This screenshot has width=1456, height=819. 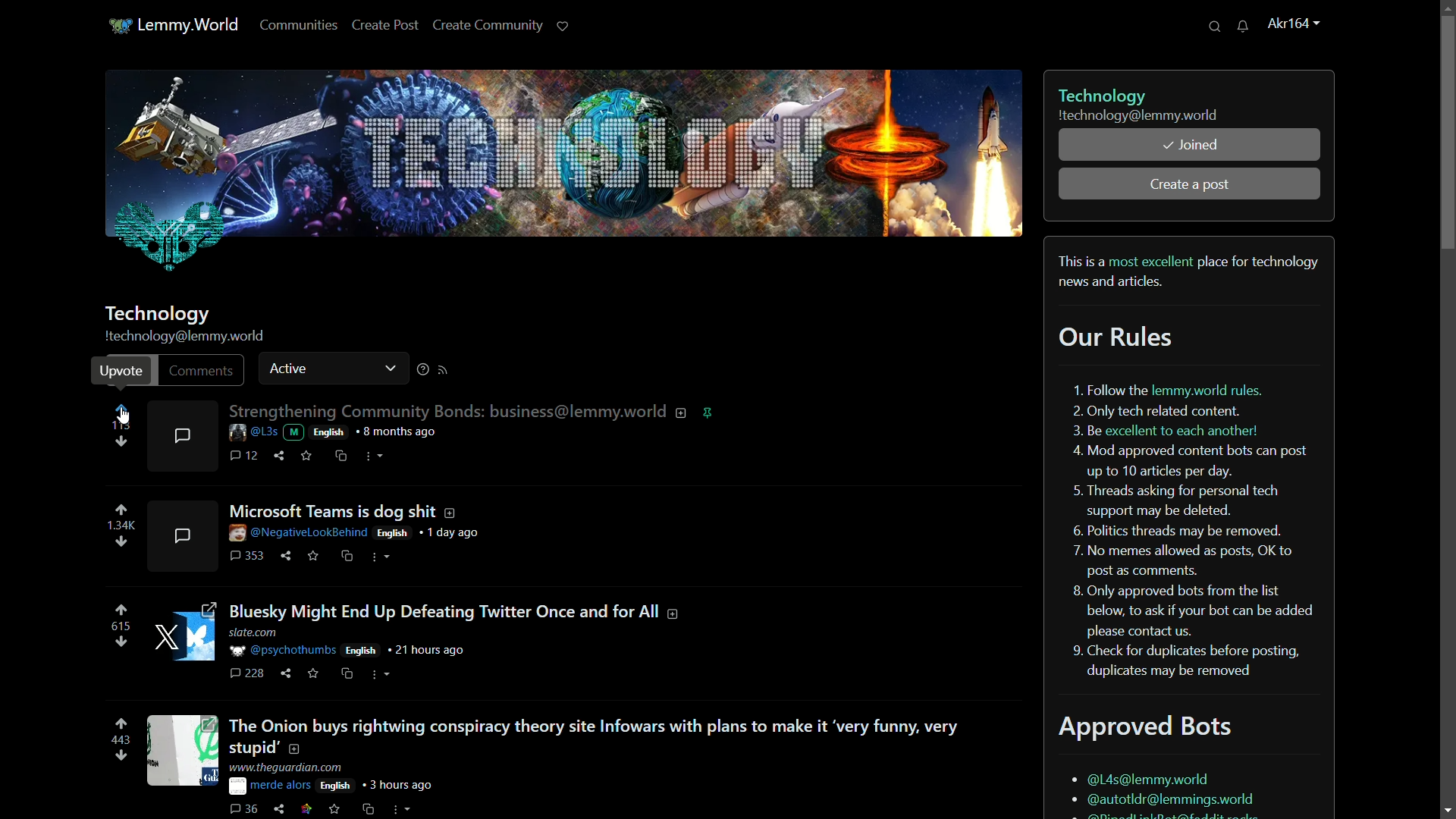 I want to click on comments, so click(x=247, y=554).